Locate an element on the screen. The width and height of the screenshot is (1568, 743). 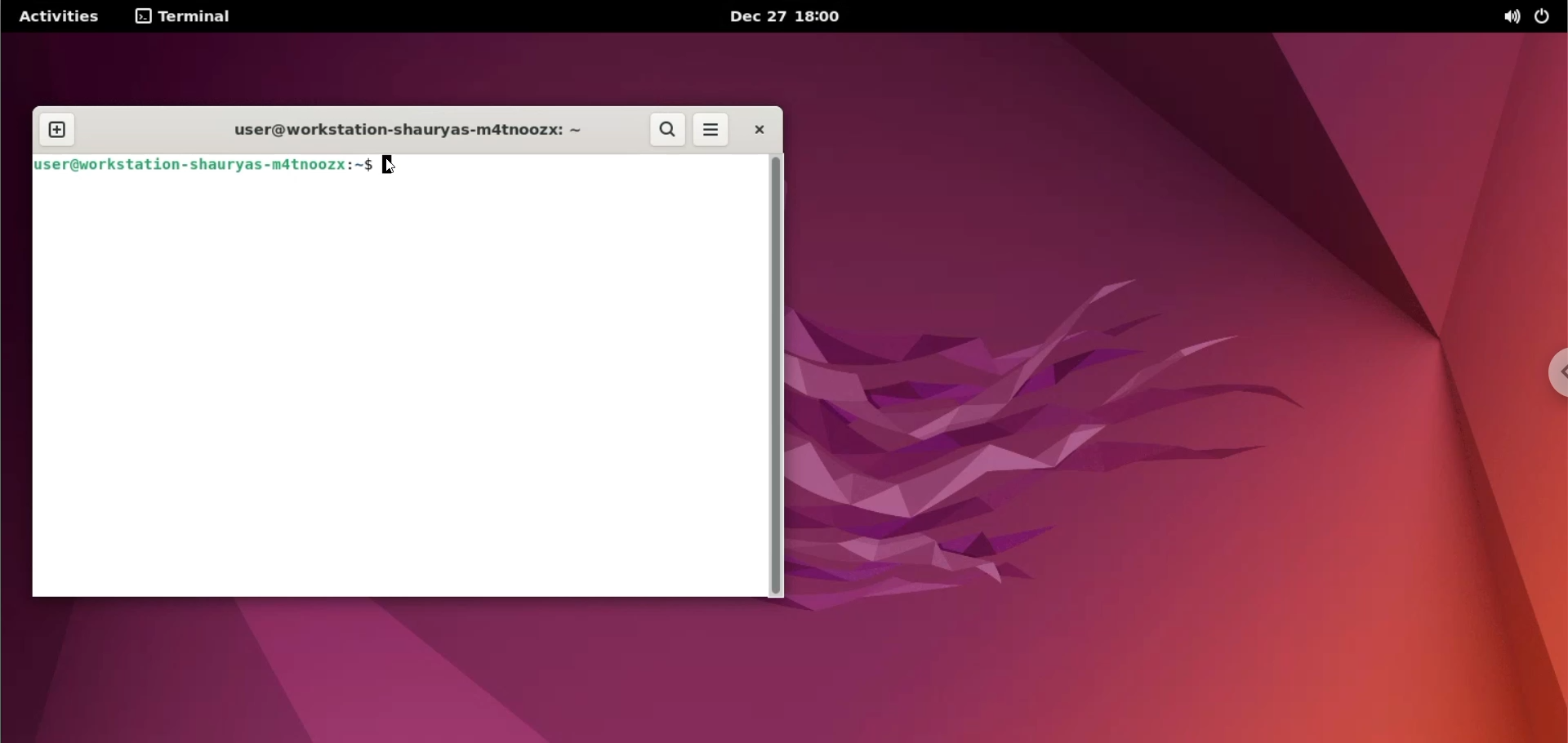
chrome options is located at coordinates (1552, 376).